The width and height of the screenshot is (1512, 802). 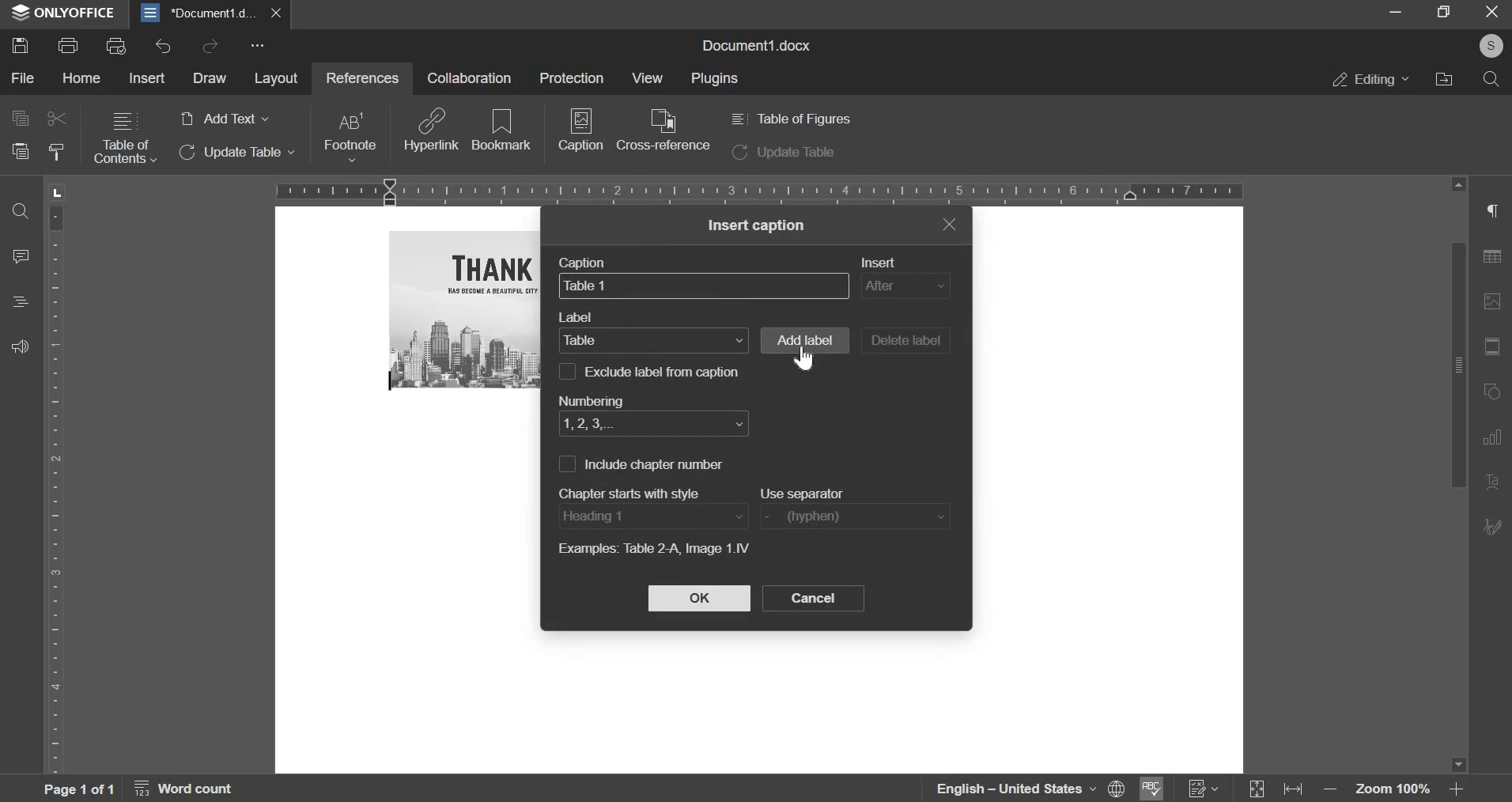 What do you see at coordinates (20, 346) in the screenshot?
I see `feedback` at bounding box center [20, 346].